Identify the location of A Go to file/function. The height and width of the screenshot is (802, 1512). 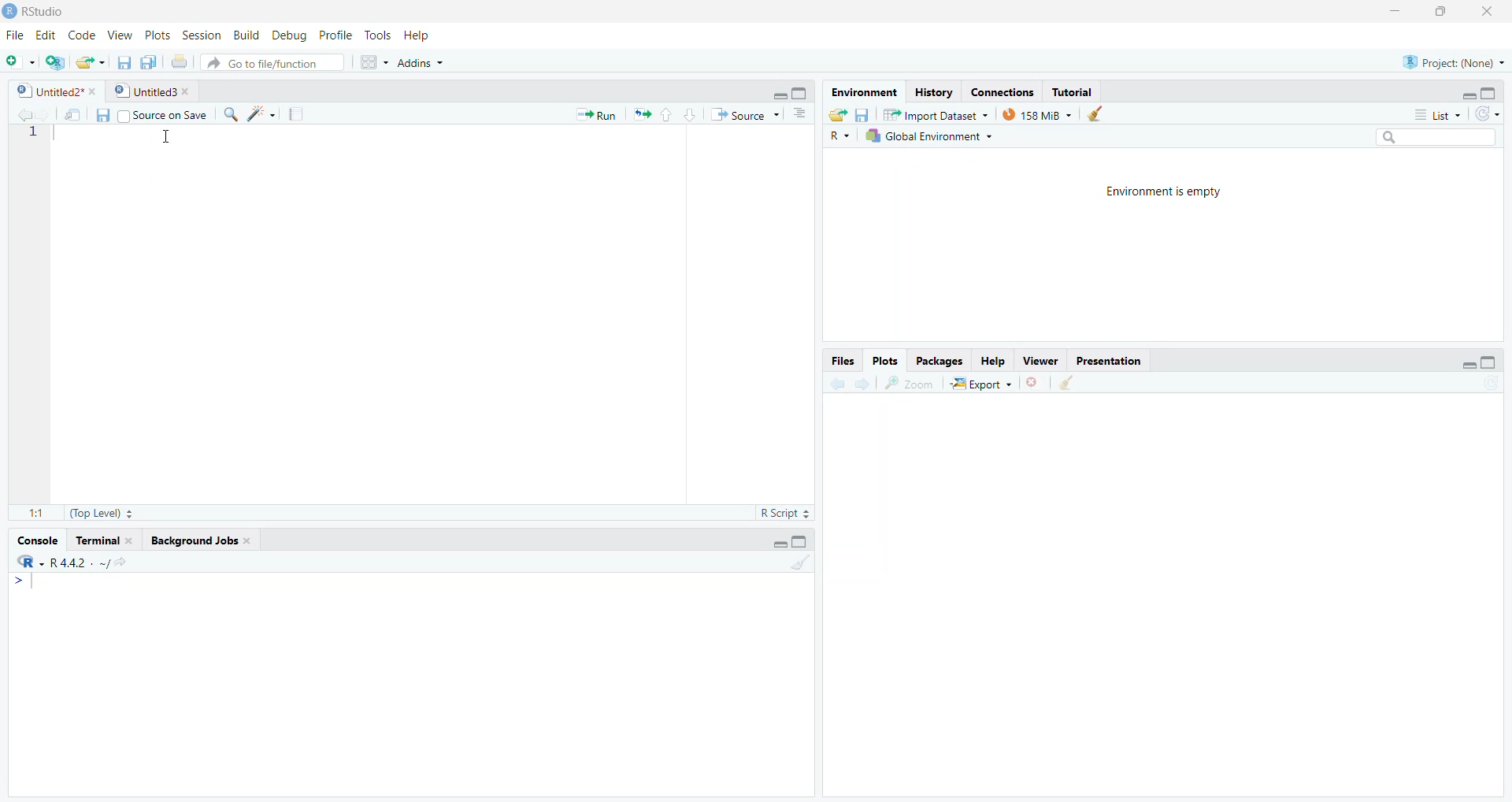
(272, 62).